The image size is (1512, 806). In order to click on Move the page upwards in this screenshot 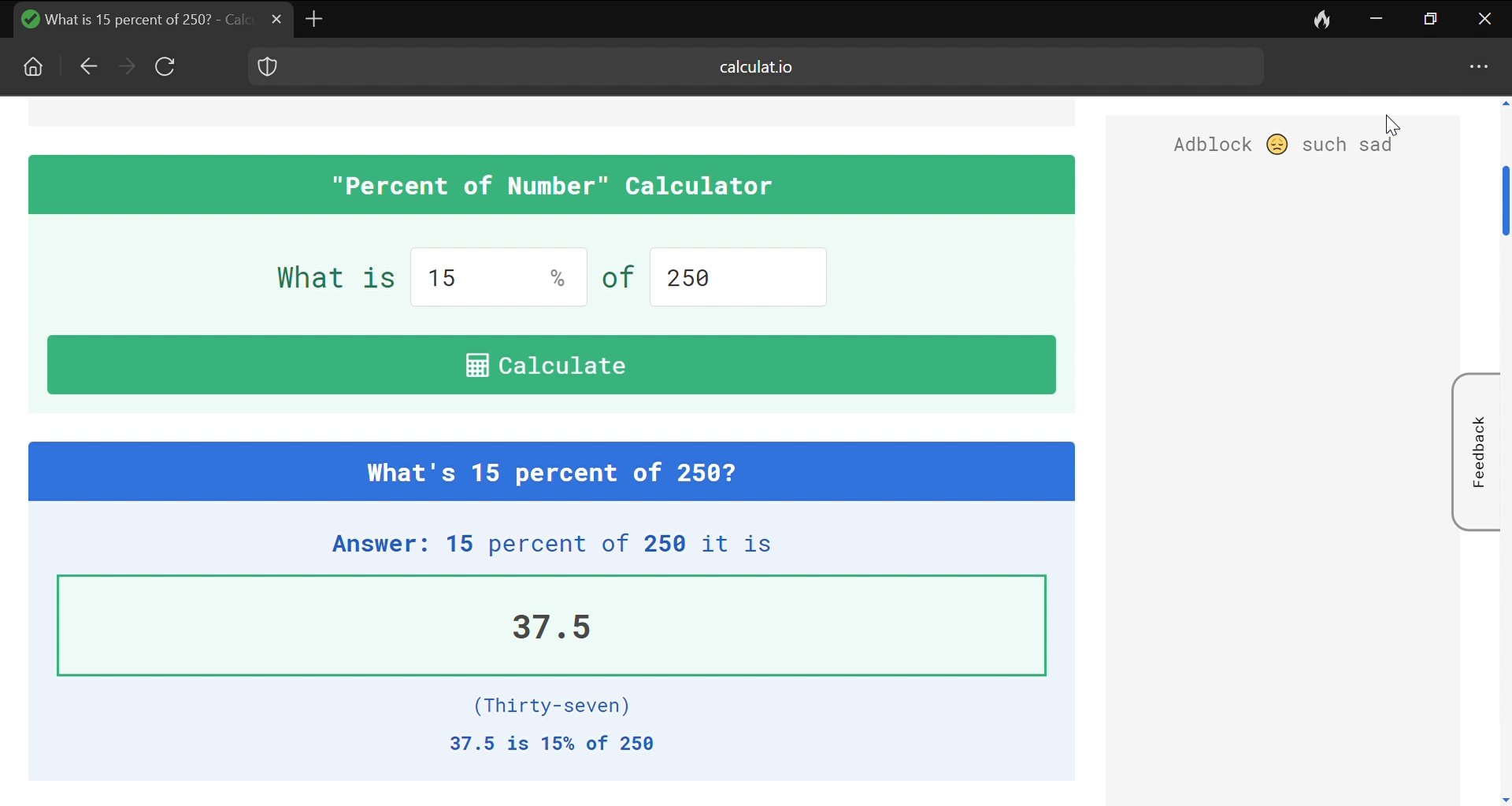, I will do `click(1500, 105)`.